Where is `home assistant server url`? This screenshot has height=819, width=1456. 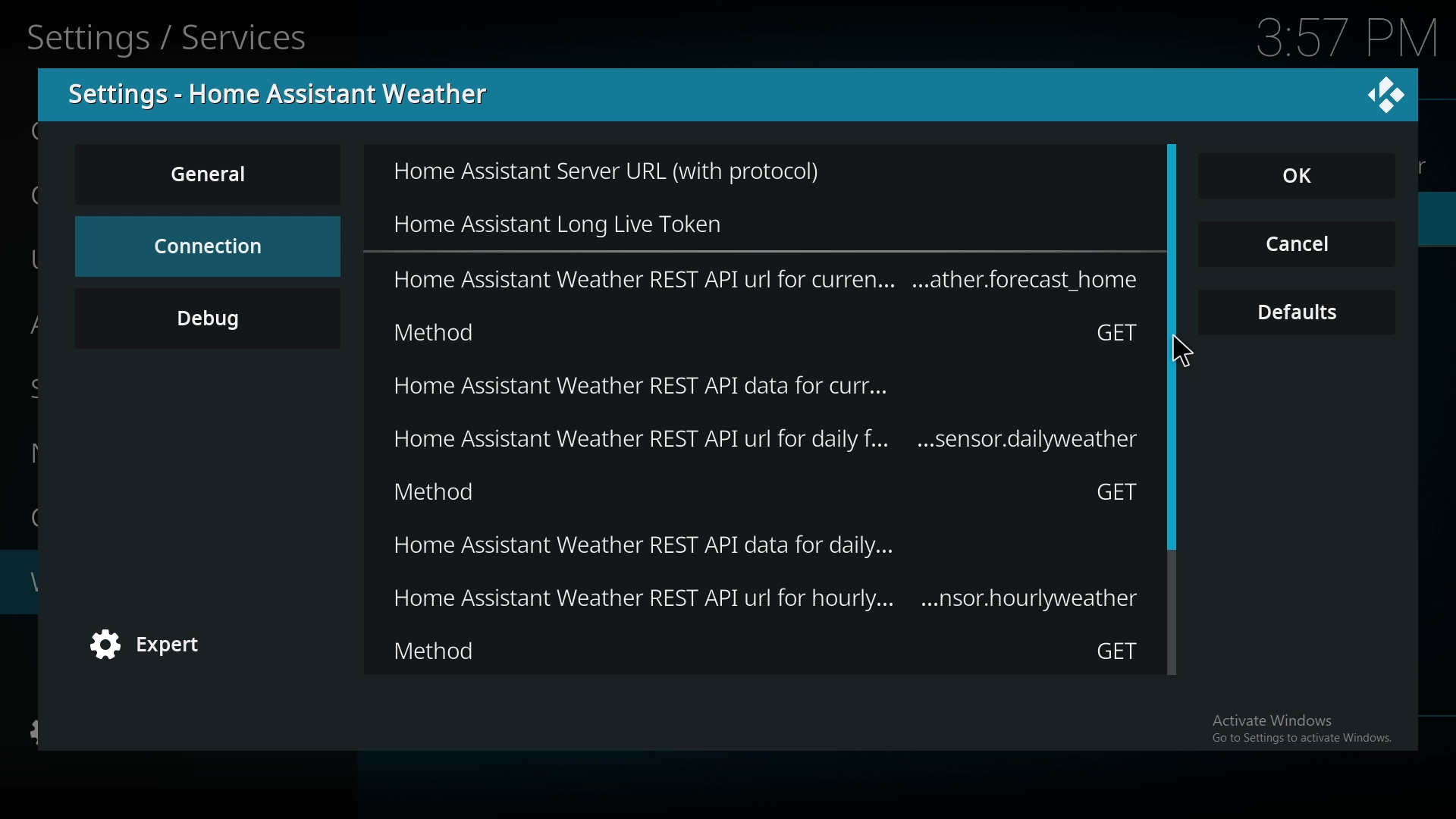 home assistant server url is located at coordinates (645, 172).